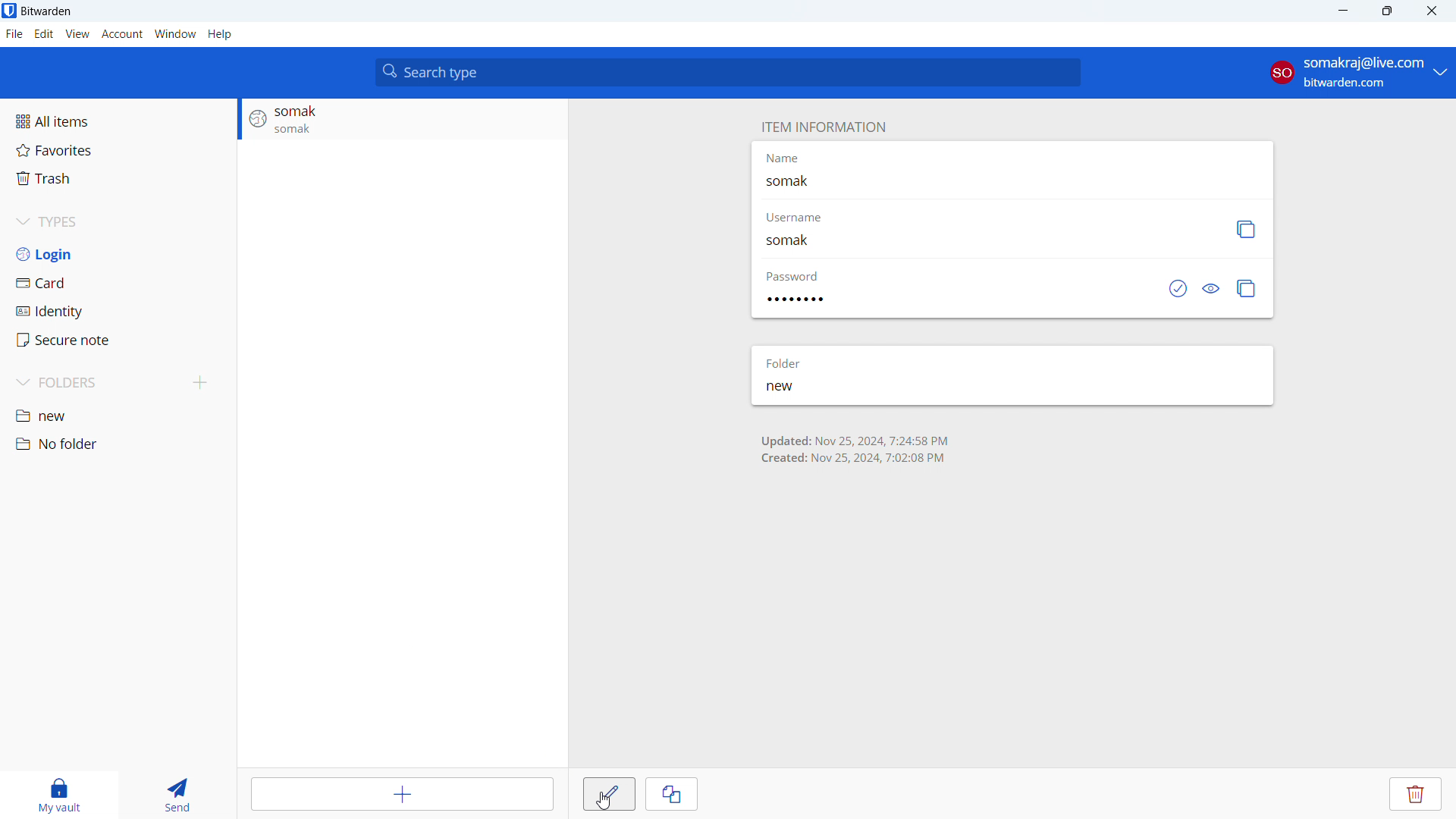  I want to click on copy usdername, so click(1244, 229).